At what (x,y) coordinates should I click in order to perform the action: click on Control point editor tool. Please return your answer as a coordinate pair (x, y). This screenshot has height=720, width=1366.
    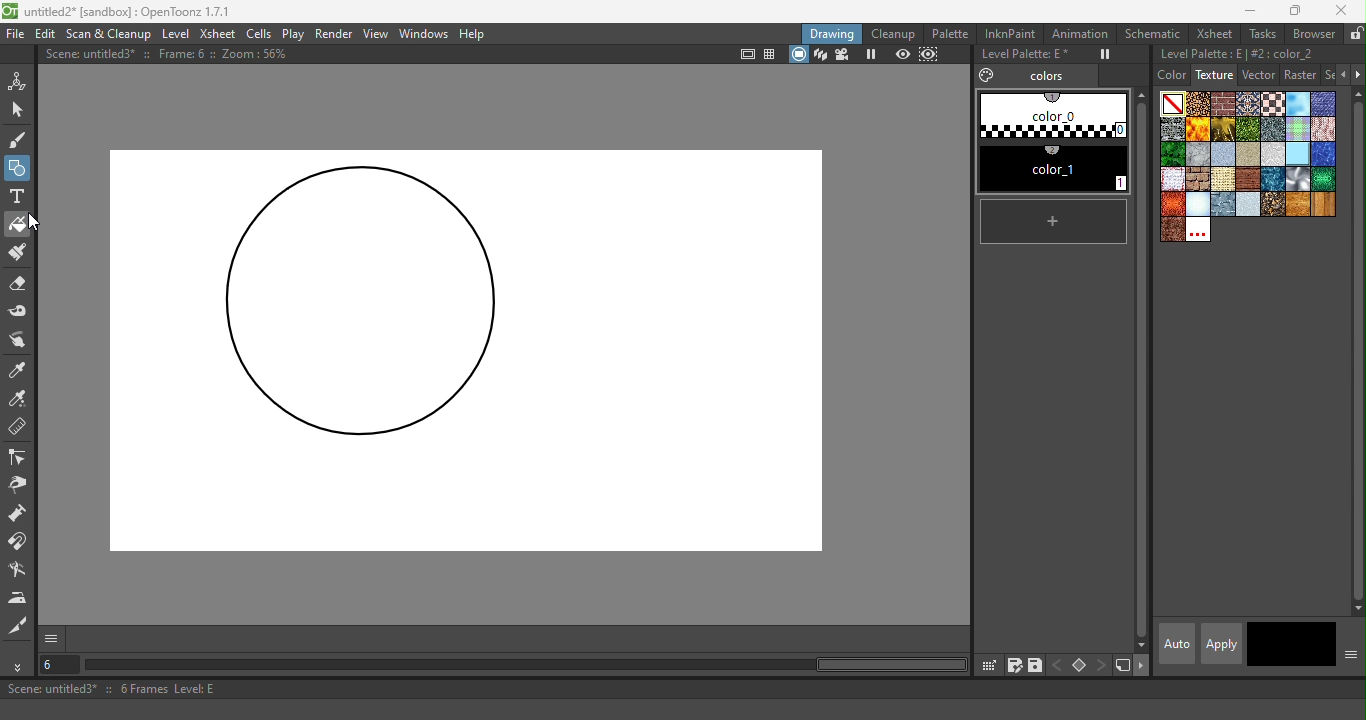
    Looking at the image, I should click on (18, 456).